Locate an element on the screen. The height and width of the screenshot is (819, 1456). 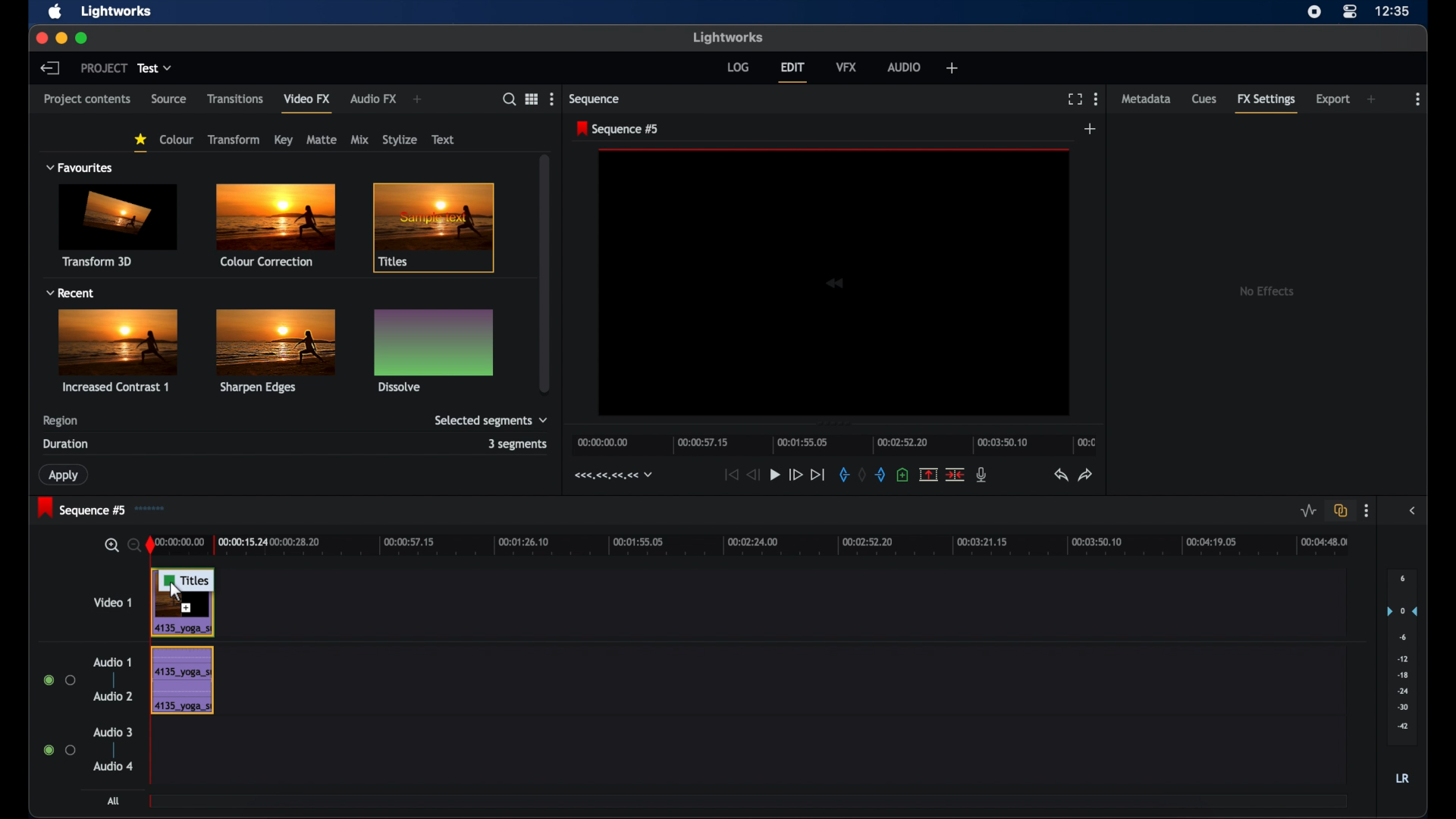
drag cursor is located at coordinates (187, 580).